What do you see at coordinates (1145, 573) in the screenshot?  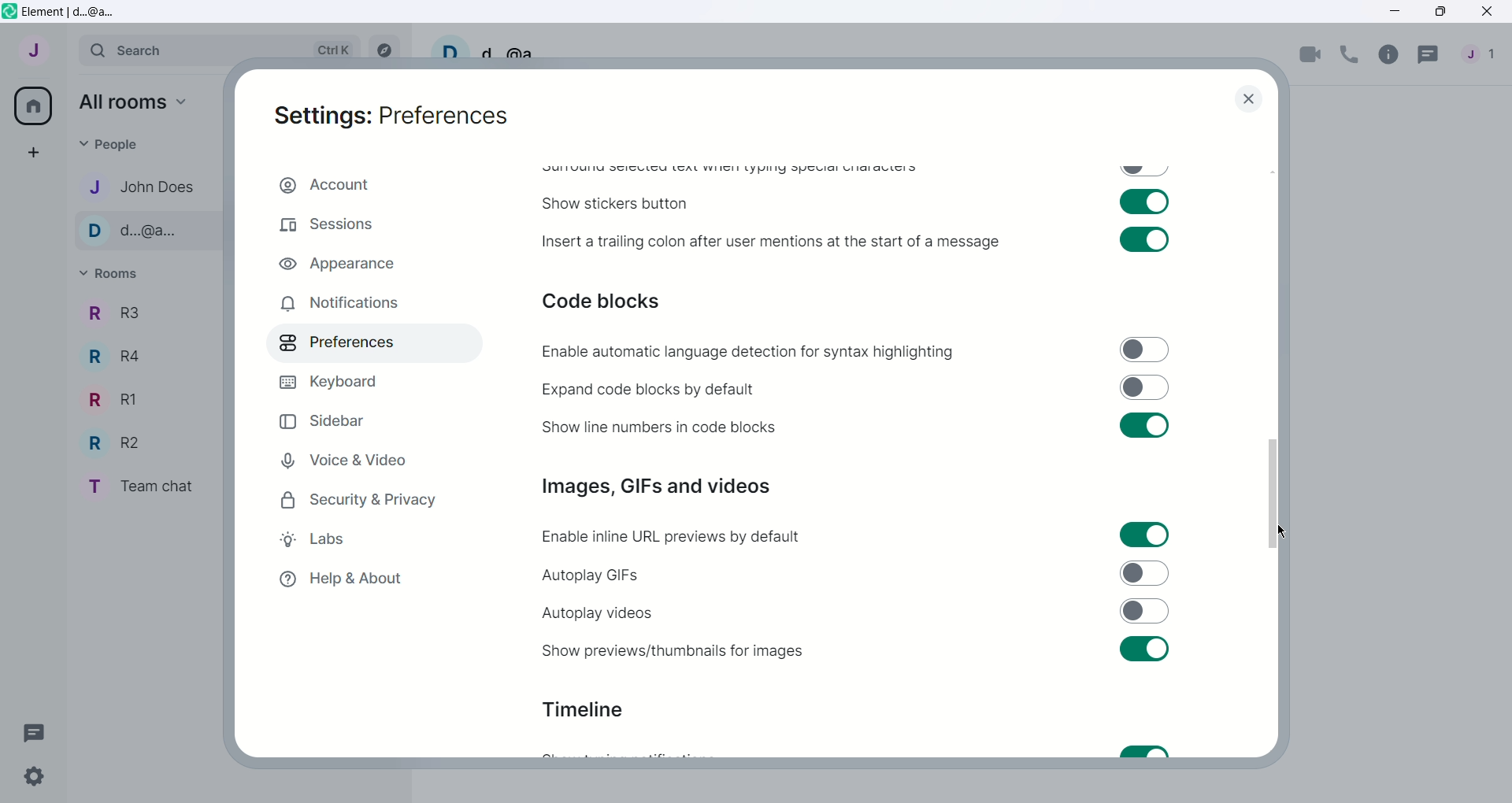 I see `Toggle switch off for autoplay GIFs` at bounding box center [1145, 573].